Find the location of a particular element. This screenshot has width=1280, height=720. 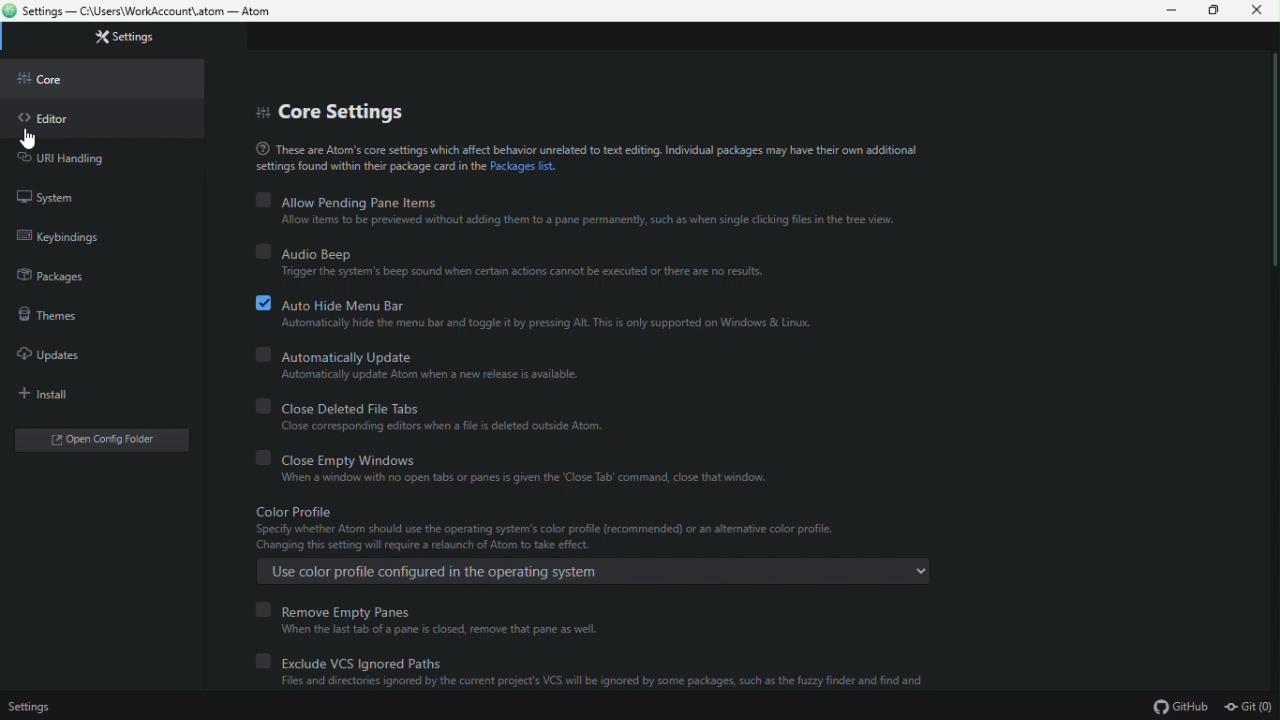

Settings is located at coordinates (135, 39).